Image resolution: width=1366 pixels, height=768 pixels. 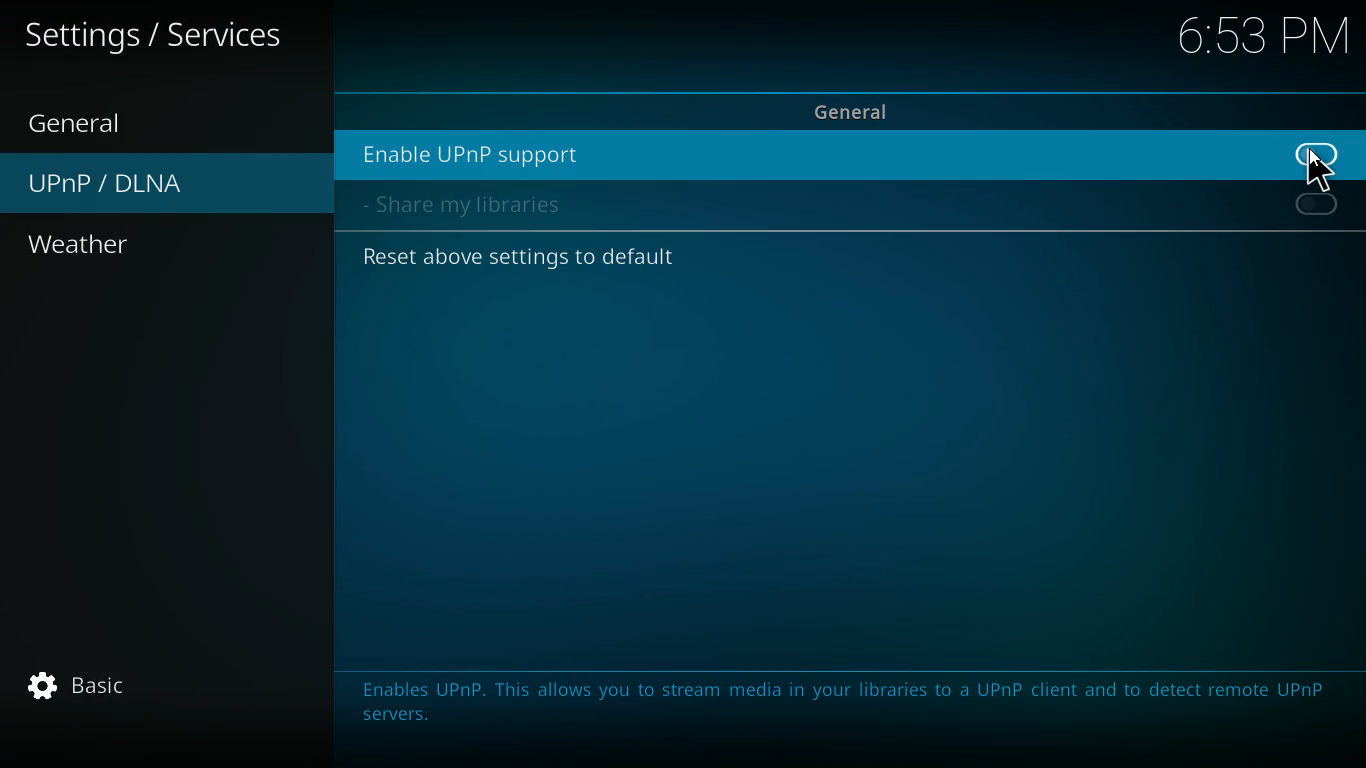 I want to click on 6:53 PM, so click(x=1256, y=40).